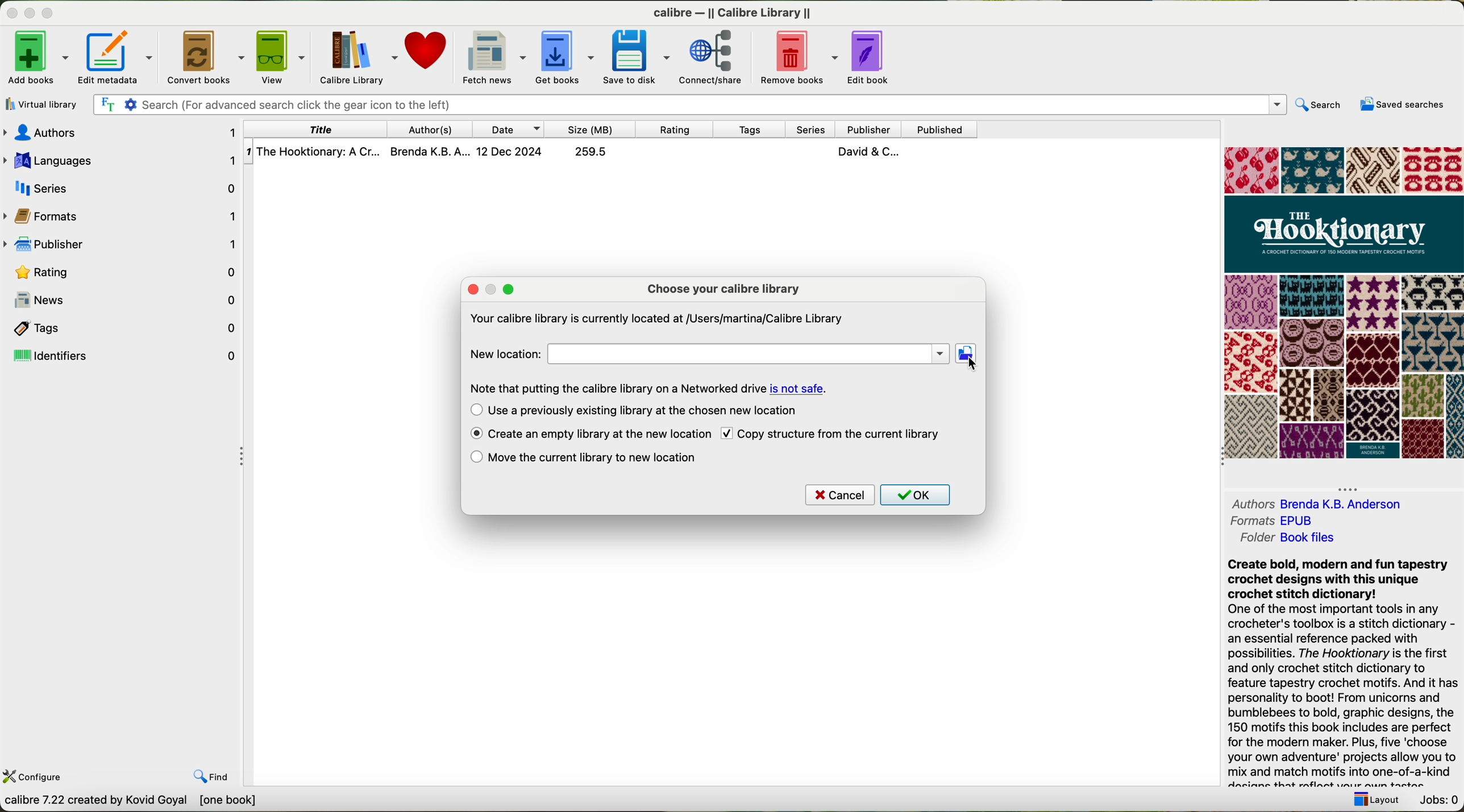 Image resolution: width=1464 pixels, height=812 pixels. I want to click on hide, so click(1349, 487).